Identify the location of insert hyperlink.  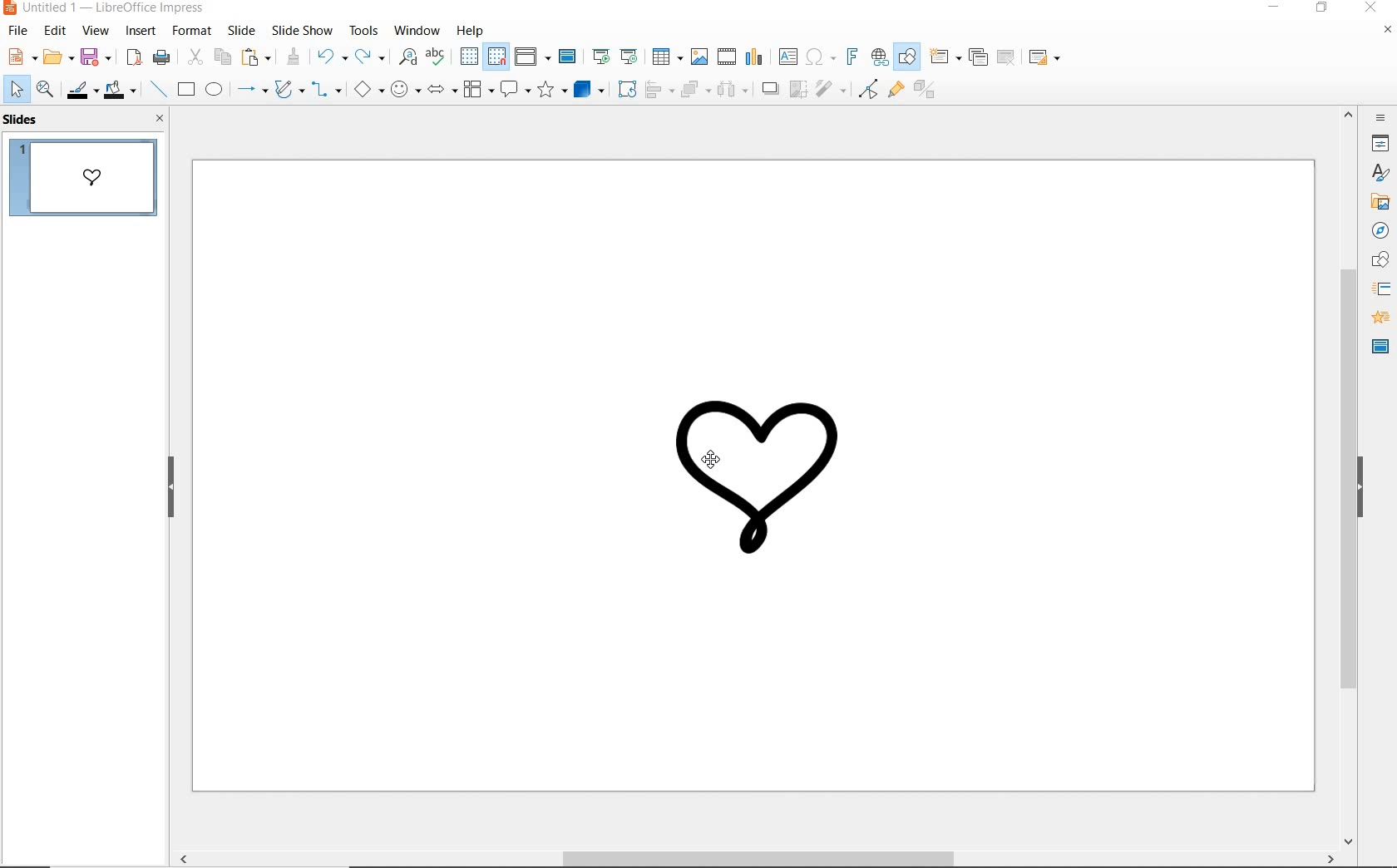
(880, 57).